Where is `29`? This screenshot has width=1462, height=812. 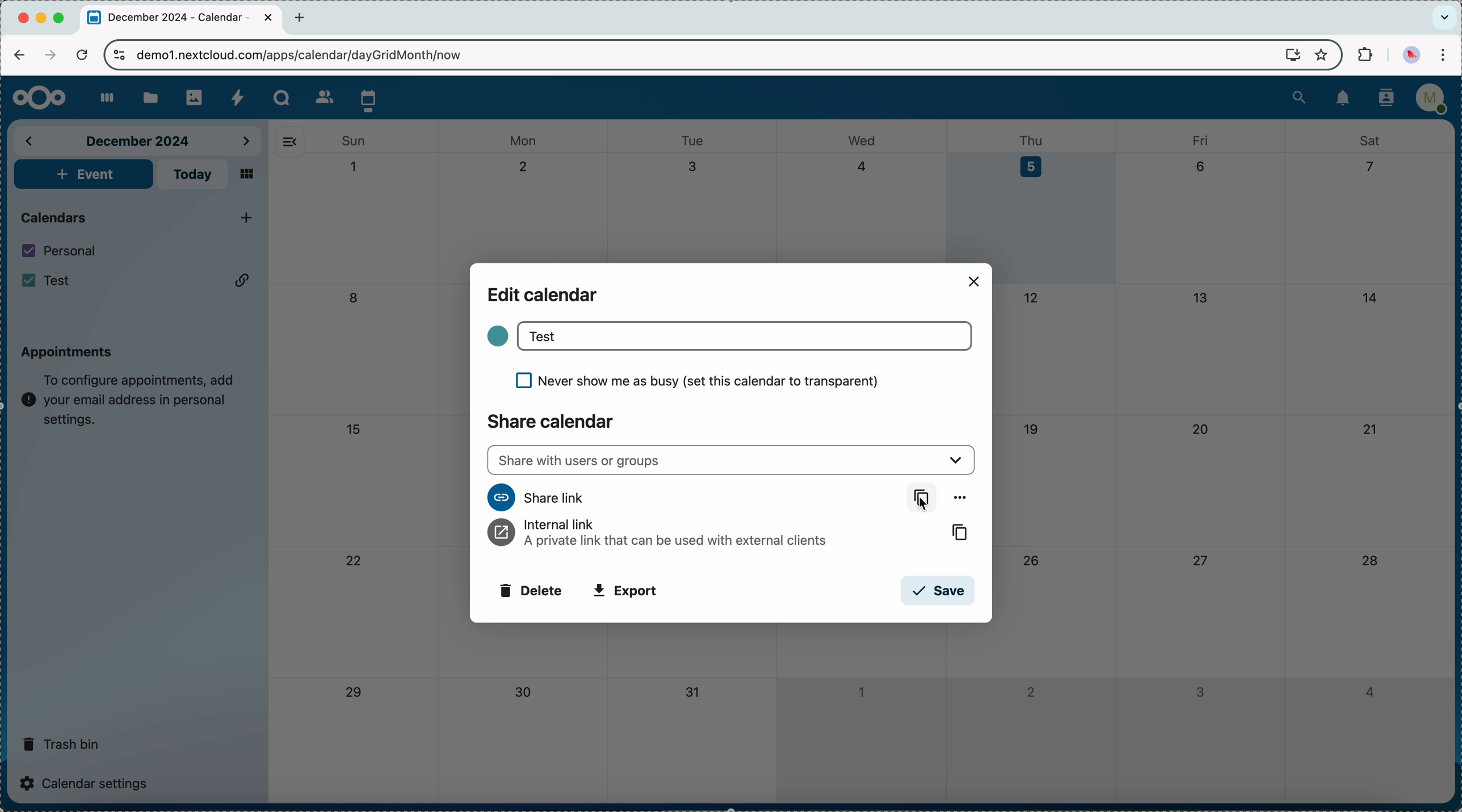
29 is located at coordinates (352, 693).